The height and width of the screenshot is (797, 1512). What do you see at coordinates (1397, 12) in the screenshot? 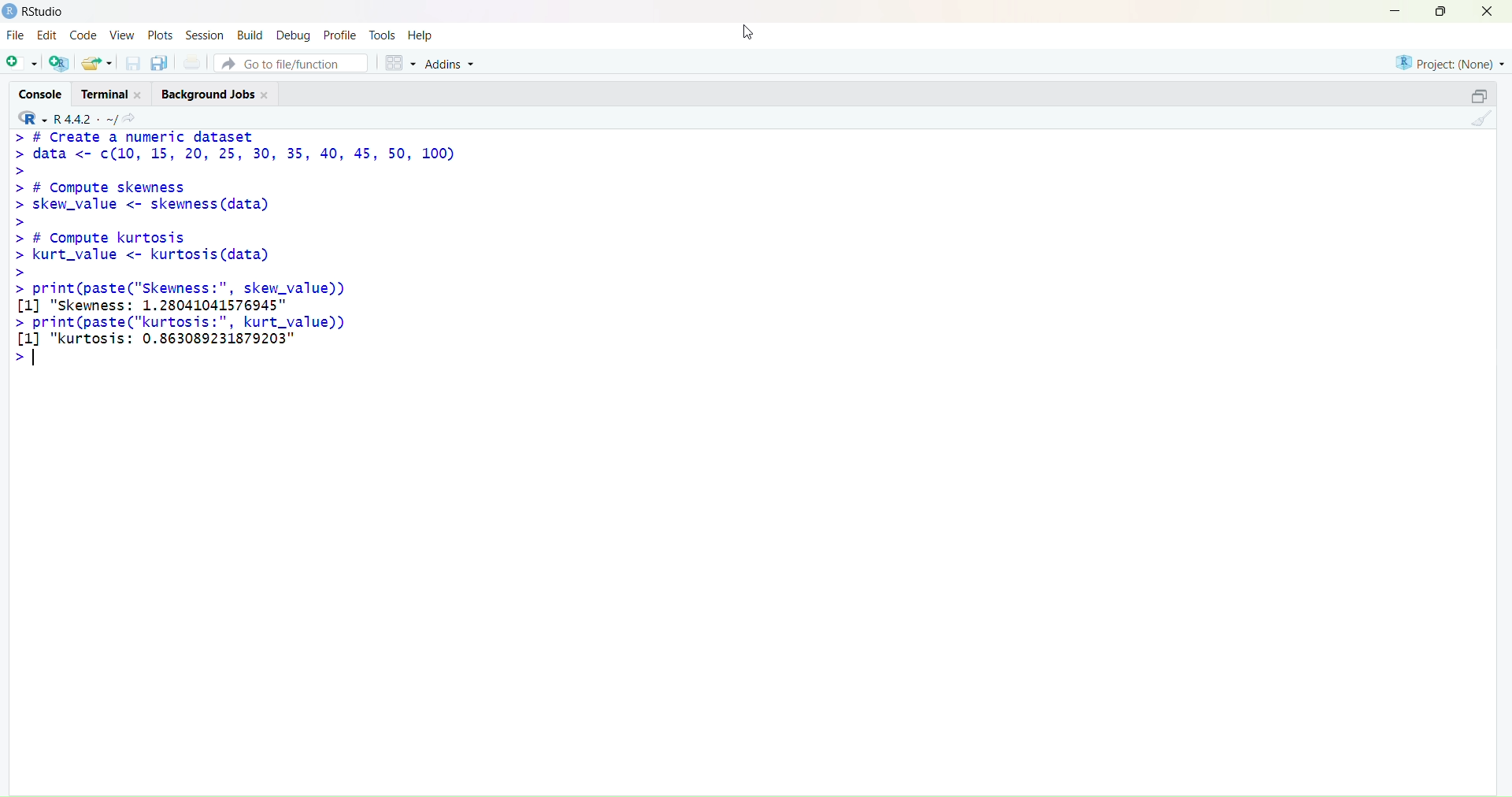
I see `Minimize` at bounding box center [1397, 12].